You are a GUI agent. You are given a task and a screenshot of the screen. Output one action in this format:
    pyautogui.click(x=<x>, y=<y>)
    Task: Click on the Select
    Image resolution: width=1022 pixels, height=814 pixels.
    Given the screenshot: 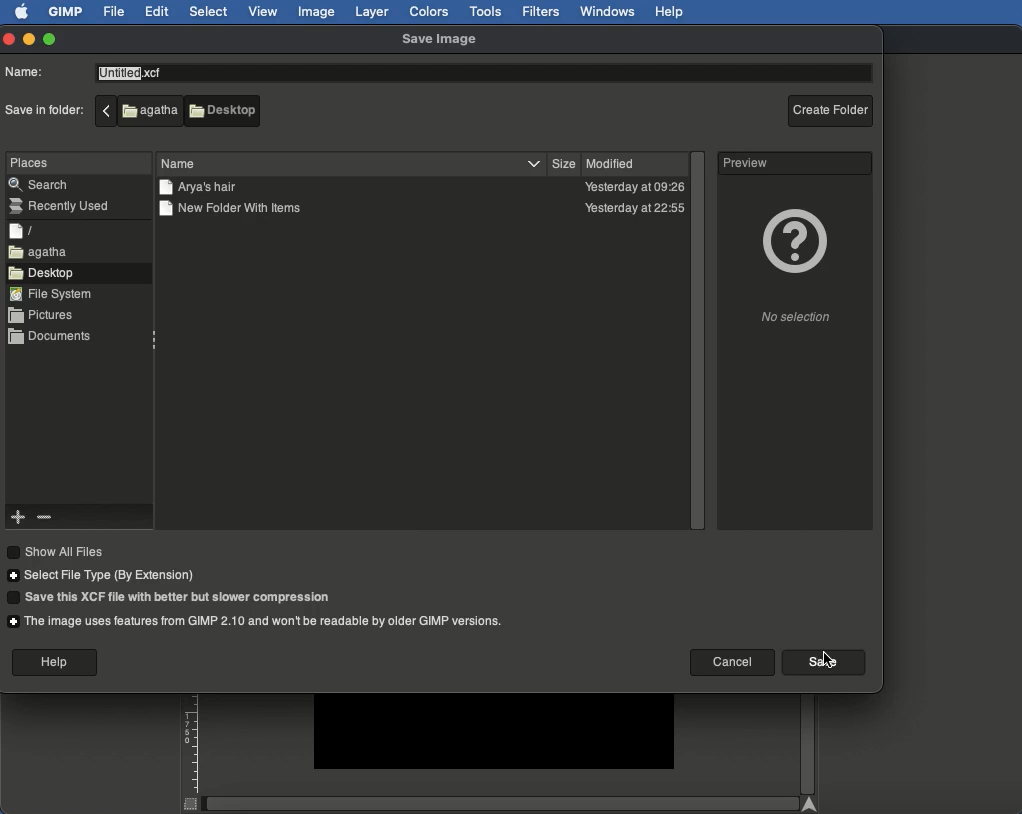 What is the action you would take?
    pyautogui.click(x=208, y=12)
    